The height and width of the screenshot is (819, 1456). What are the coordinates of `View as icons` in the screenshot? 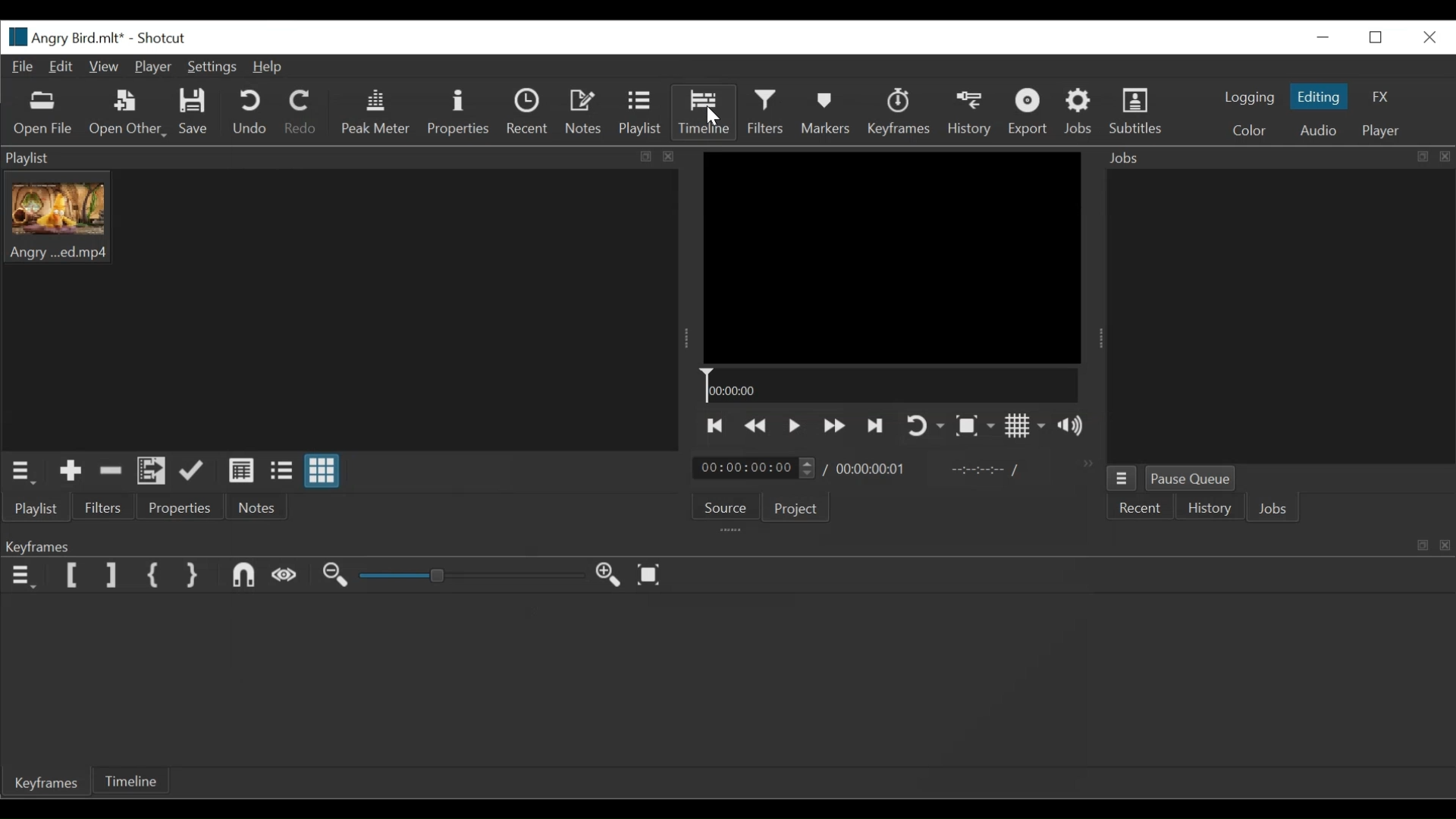 It's located at (322, 470).